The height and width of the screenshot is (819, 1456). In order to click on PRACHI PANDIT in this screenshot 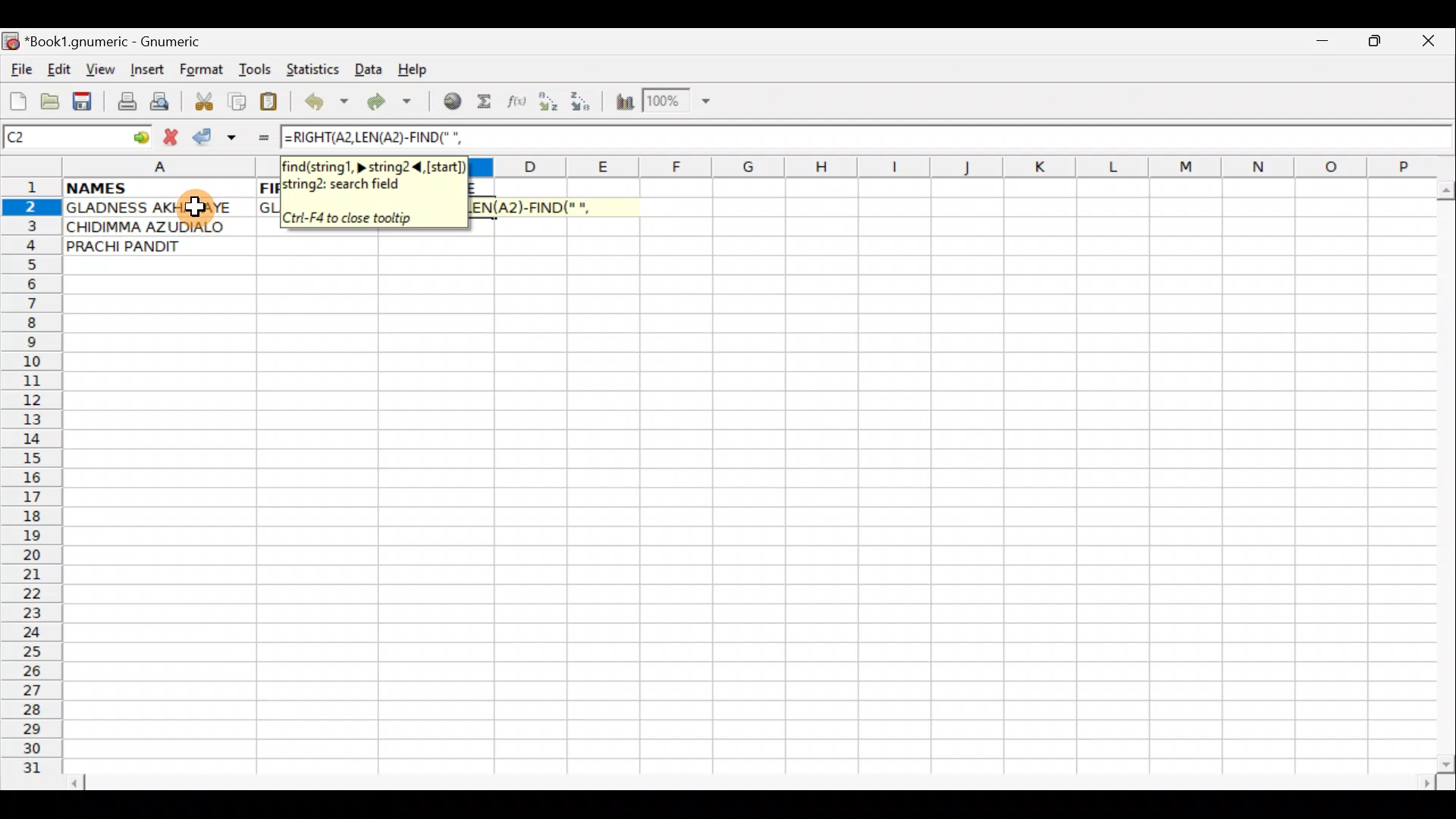, I will do `click(149, 246)`.